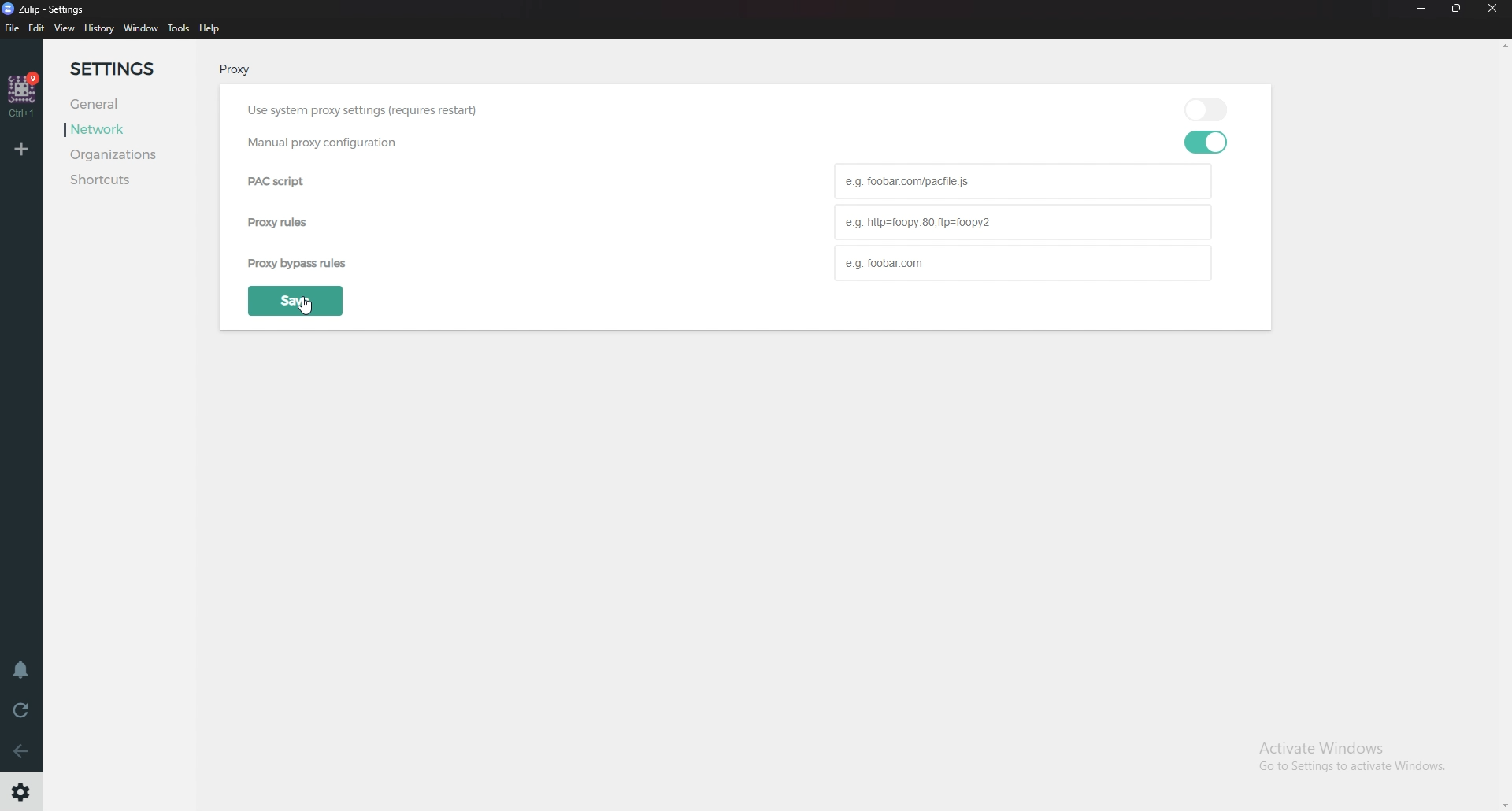 The width and height of the screenshot is (1512, 811). I want to click on Manual proxy configuration, so click(317, 143).